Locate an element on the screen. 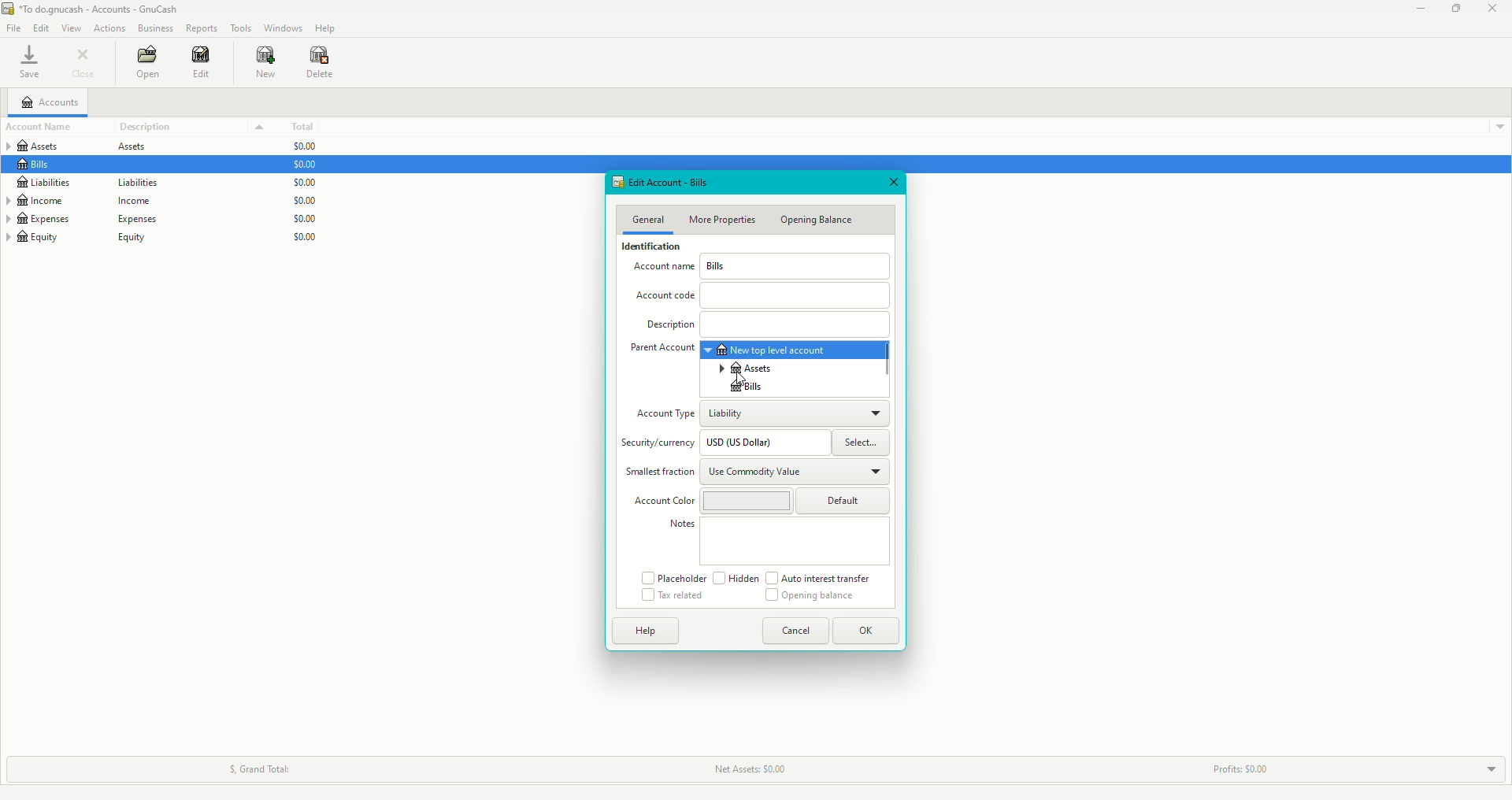 The width and height of the screenshot is (1512, 800). Auto interest transfer is located at coordinates (823, 578).